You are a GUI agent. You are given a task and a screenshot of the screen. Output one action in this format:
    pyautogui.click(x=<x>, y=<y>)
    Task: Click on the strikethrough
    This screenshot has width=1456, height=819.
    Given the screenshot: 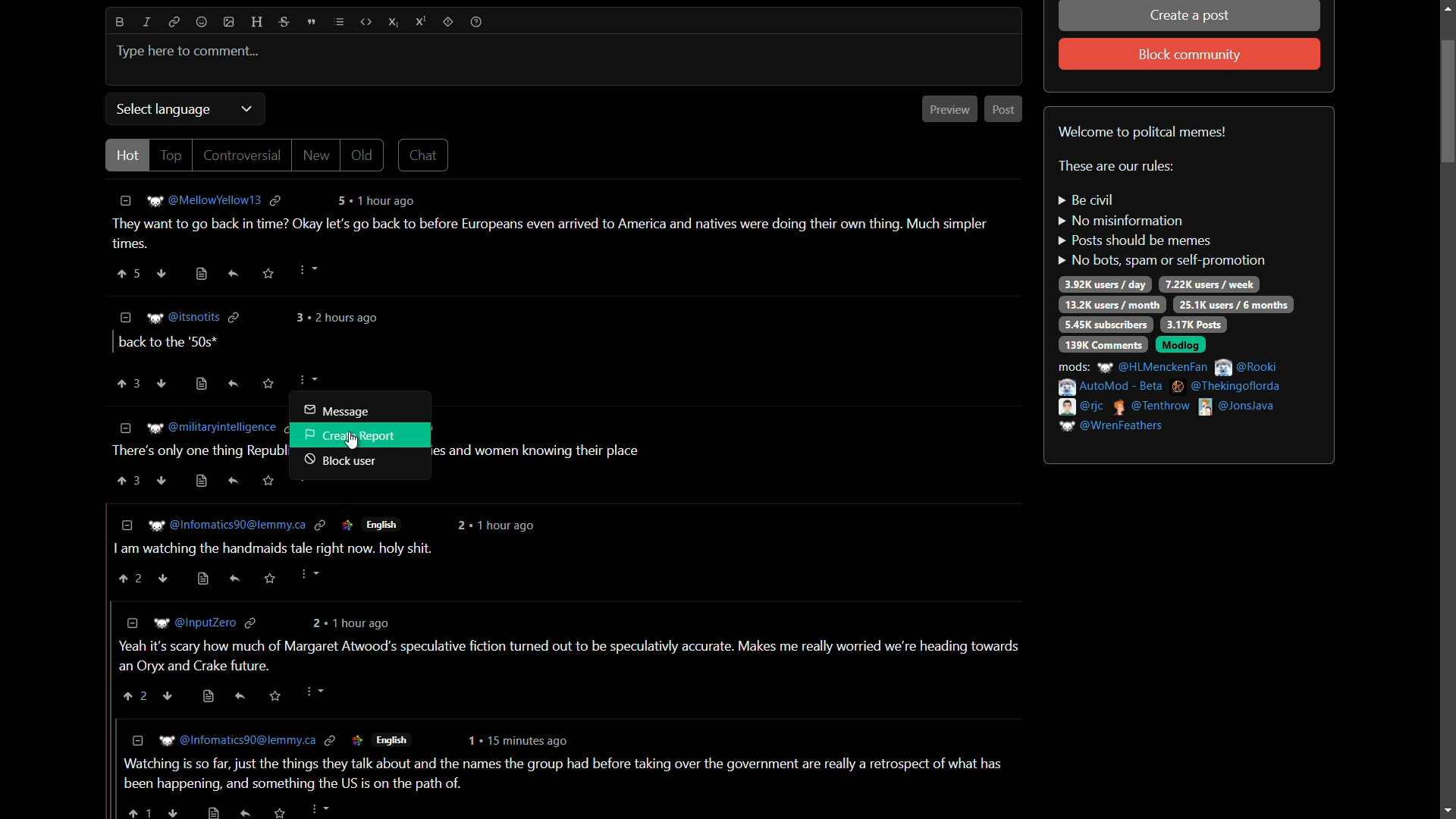 What is the action you would take?
    pyautogui.click(x=281, y=23)
    